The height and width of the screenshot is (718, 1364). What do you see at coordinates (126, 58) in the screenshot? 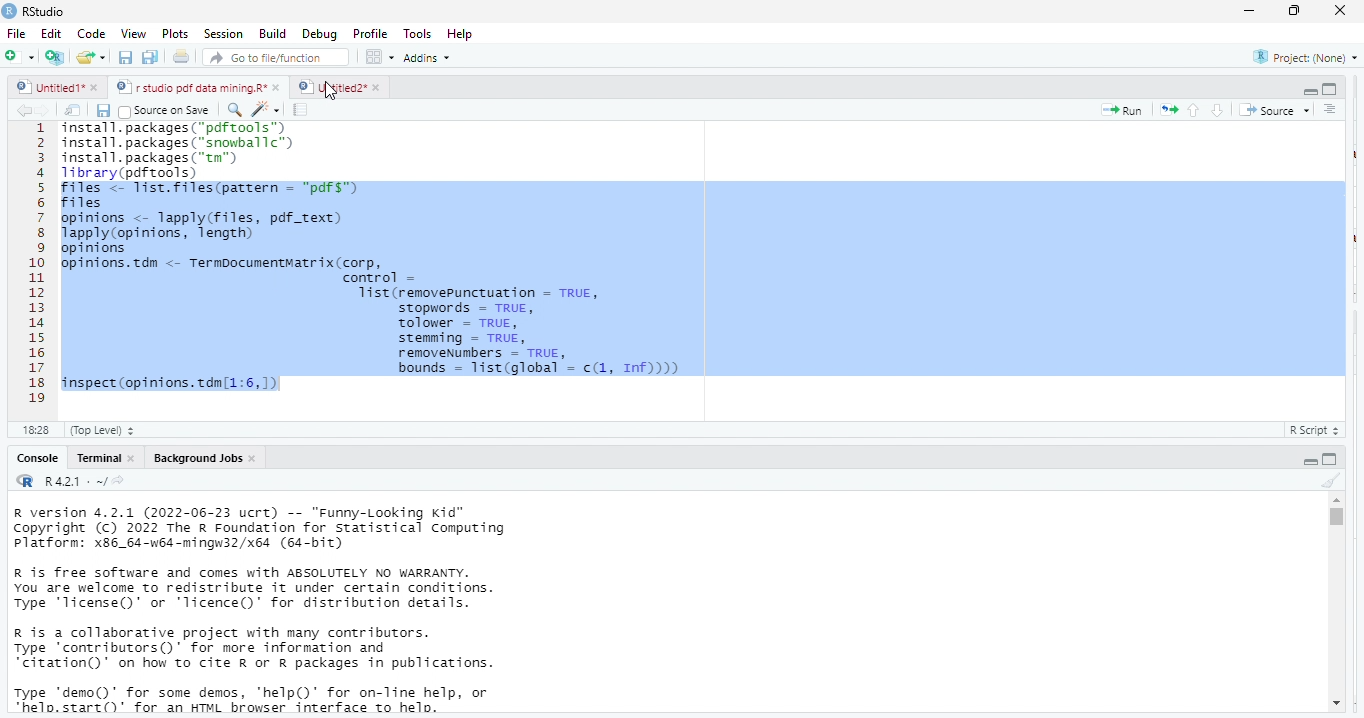
I see `save current document` at bounding box center [126, 58].